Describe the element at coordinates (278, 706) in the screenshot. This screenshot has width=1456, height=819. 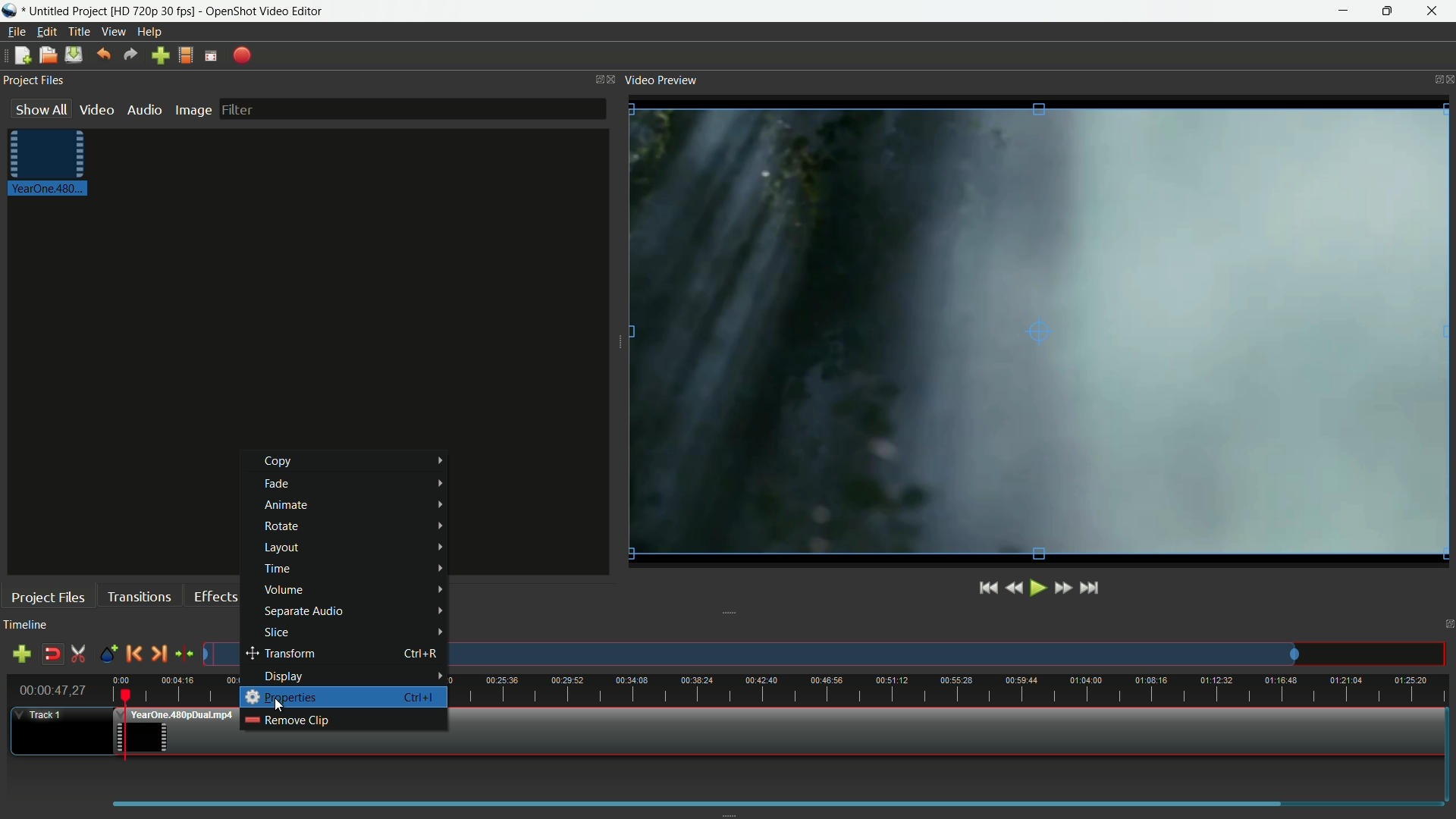
I see `cursor` at that location.